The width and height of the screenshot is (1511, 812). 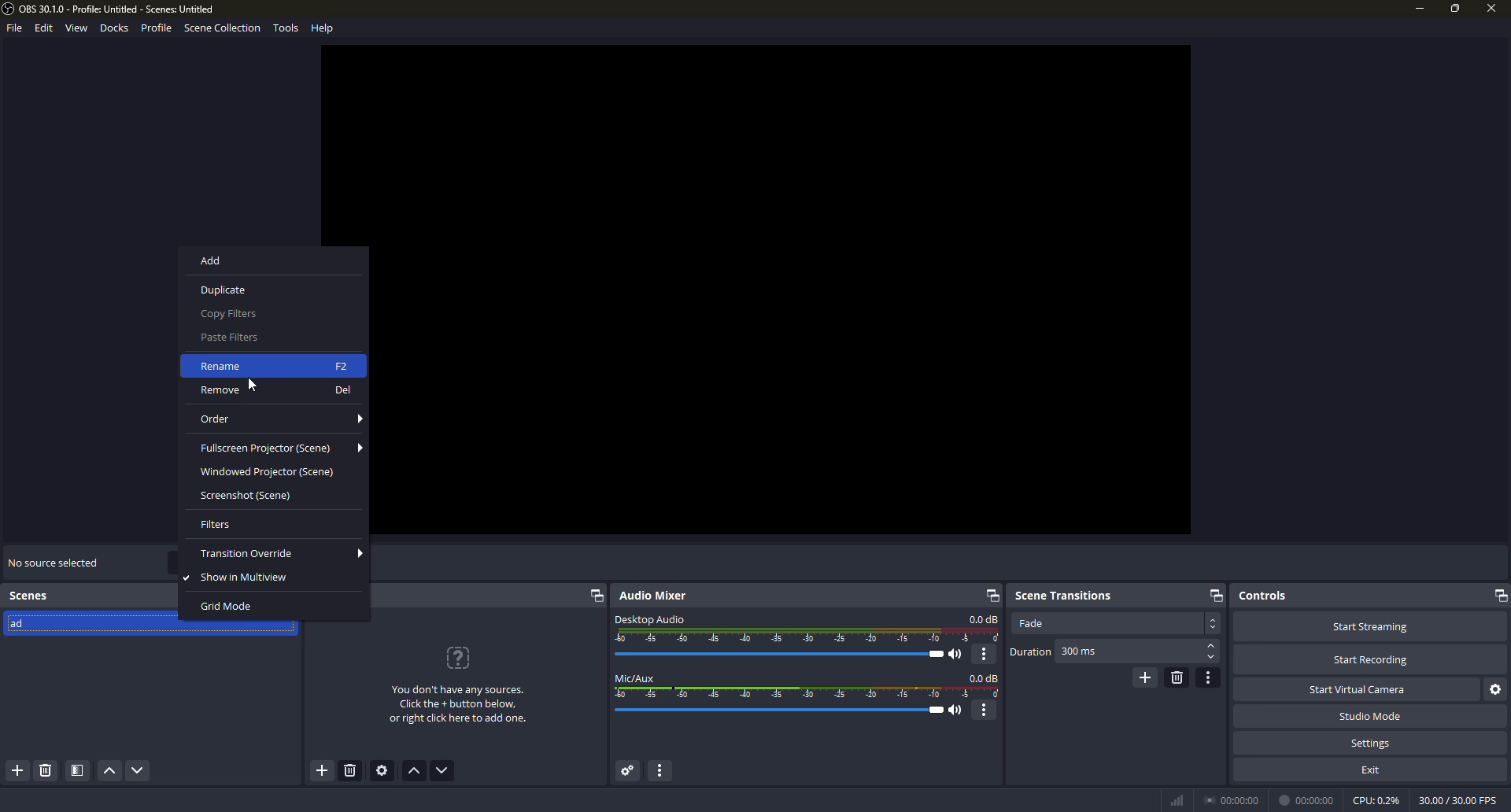 What do you see at coordinates (268, 608) in the screenshot?
I see `Grid Mode` at bounding box center [268, 608].